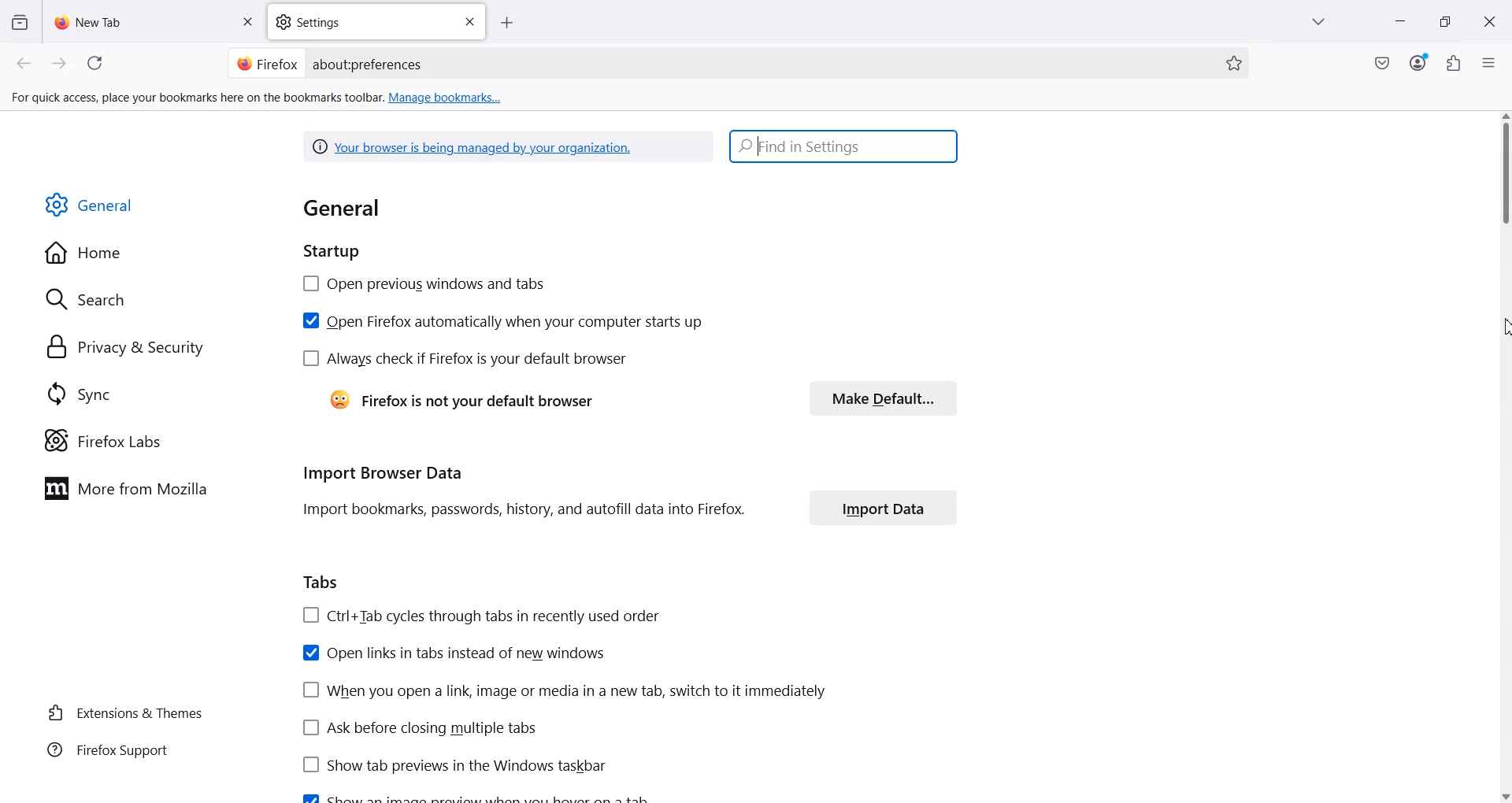 Image resolution: width=1512 pixels, height=803 pixels. I want to click on [05] Firefox is not your default browser, so click(461, 398).